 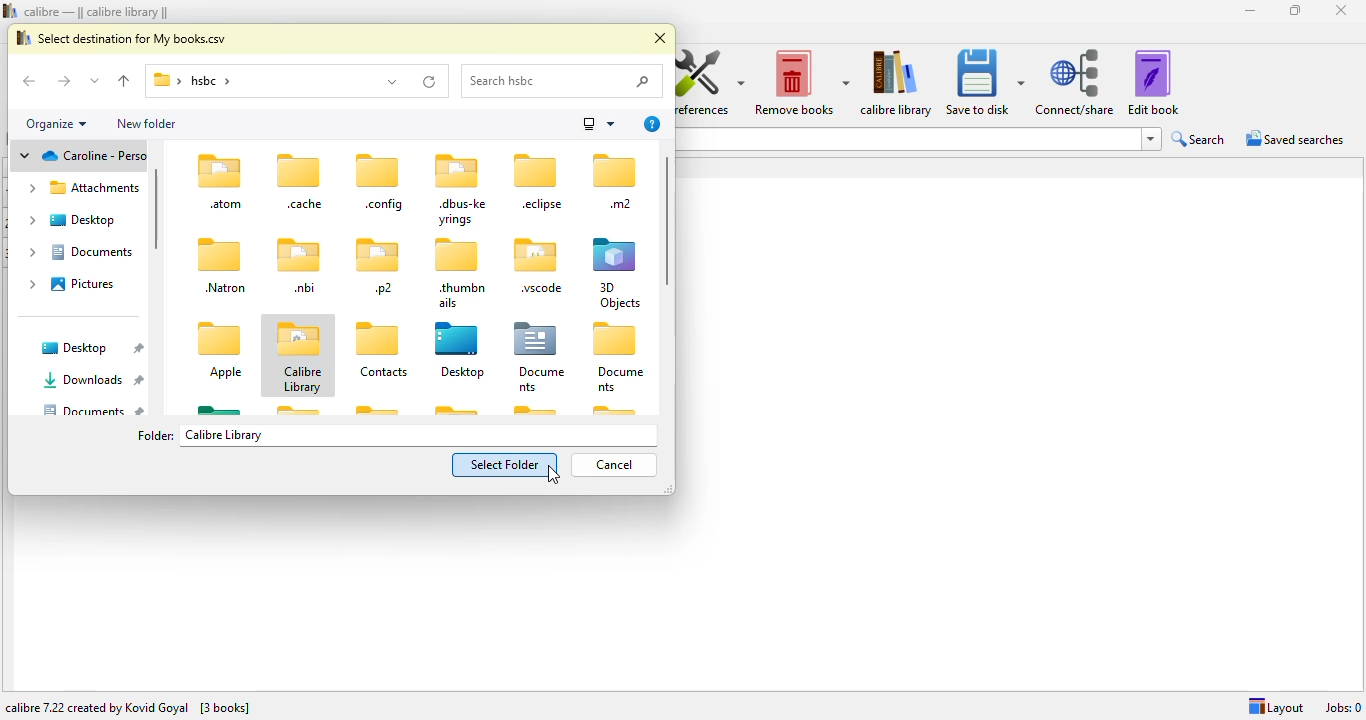 I want to click on Layout, so click(x=1272, y=704).